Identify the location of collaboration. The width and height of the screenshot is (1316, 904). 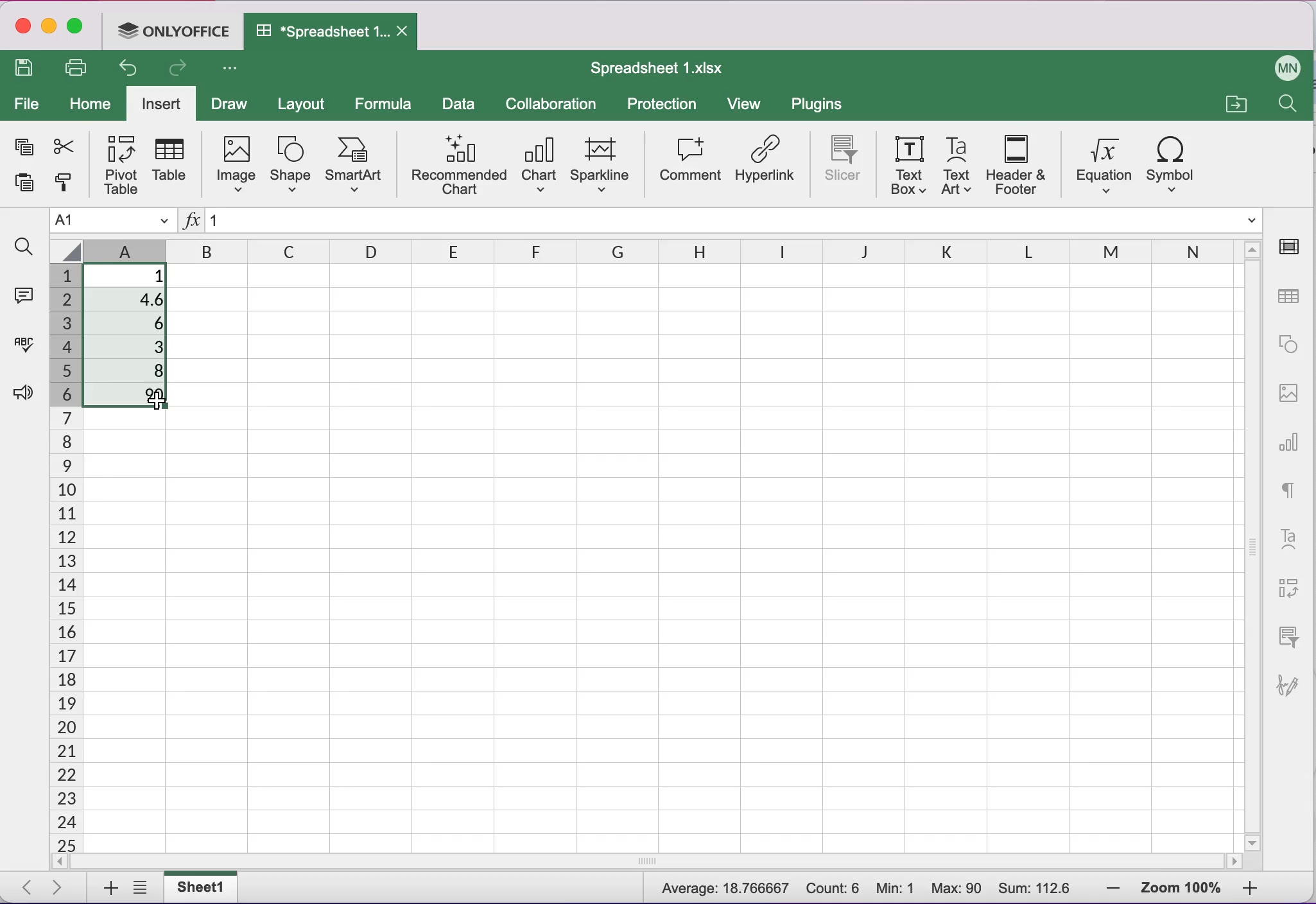
(553, 103).